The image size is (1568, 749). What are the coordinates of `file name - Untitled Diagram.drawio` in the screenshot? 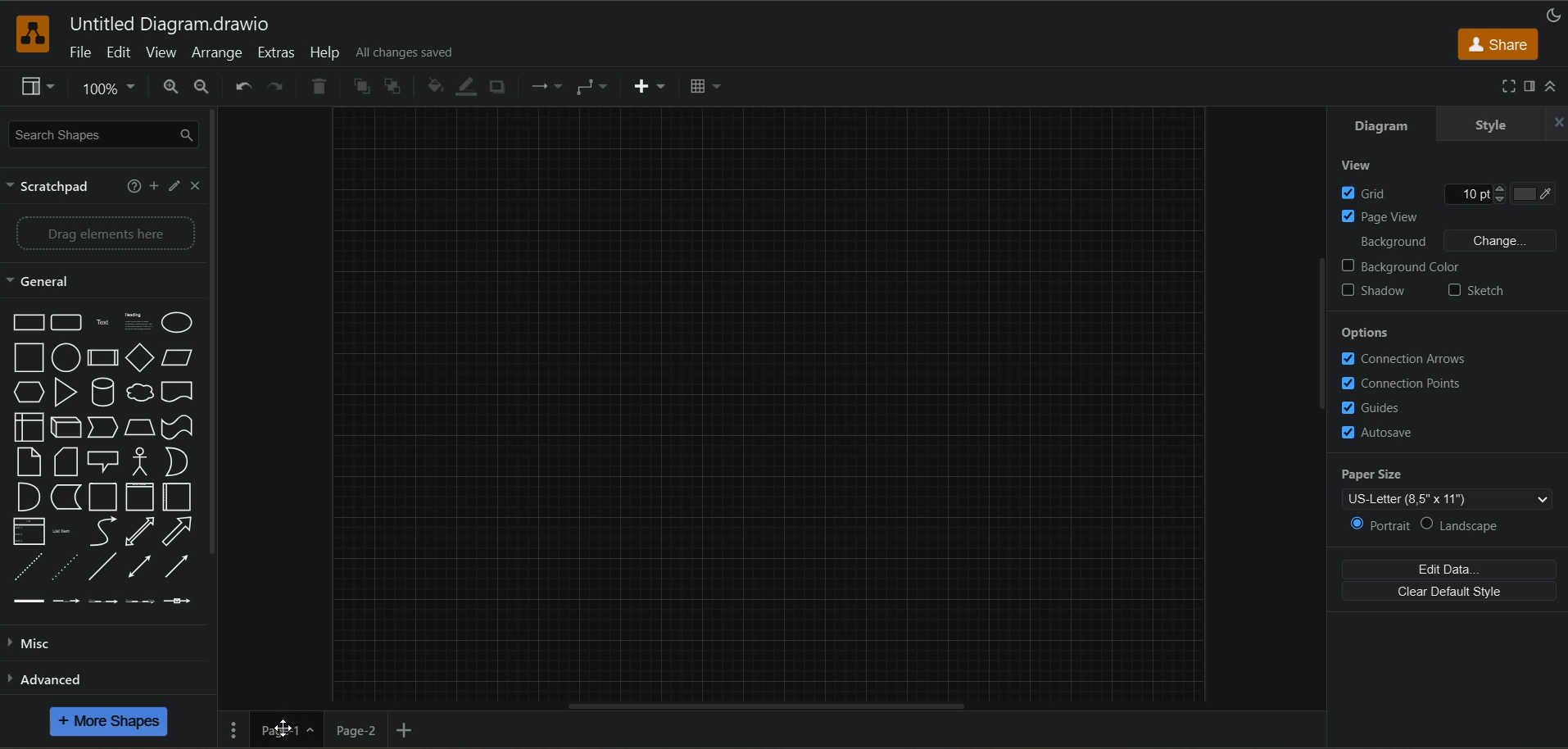 It's located at (229, 22).